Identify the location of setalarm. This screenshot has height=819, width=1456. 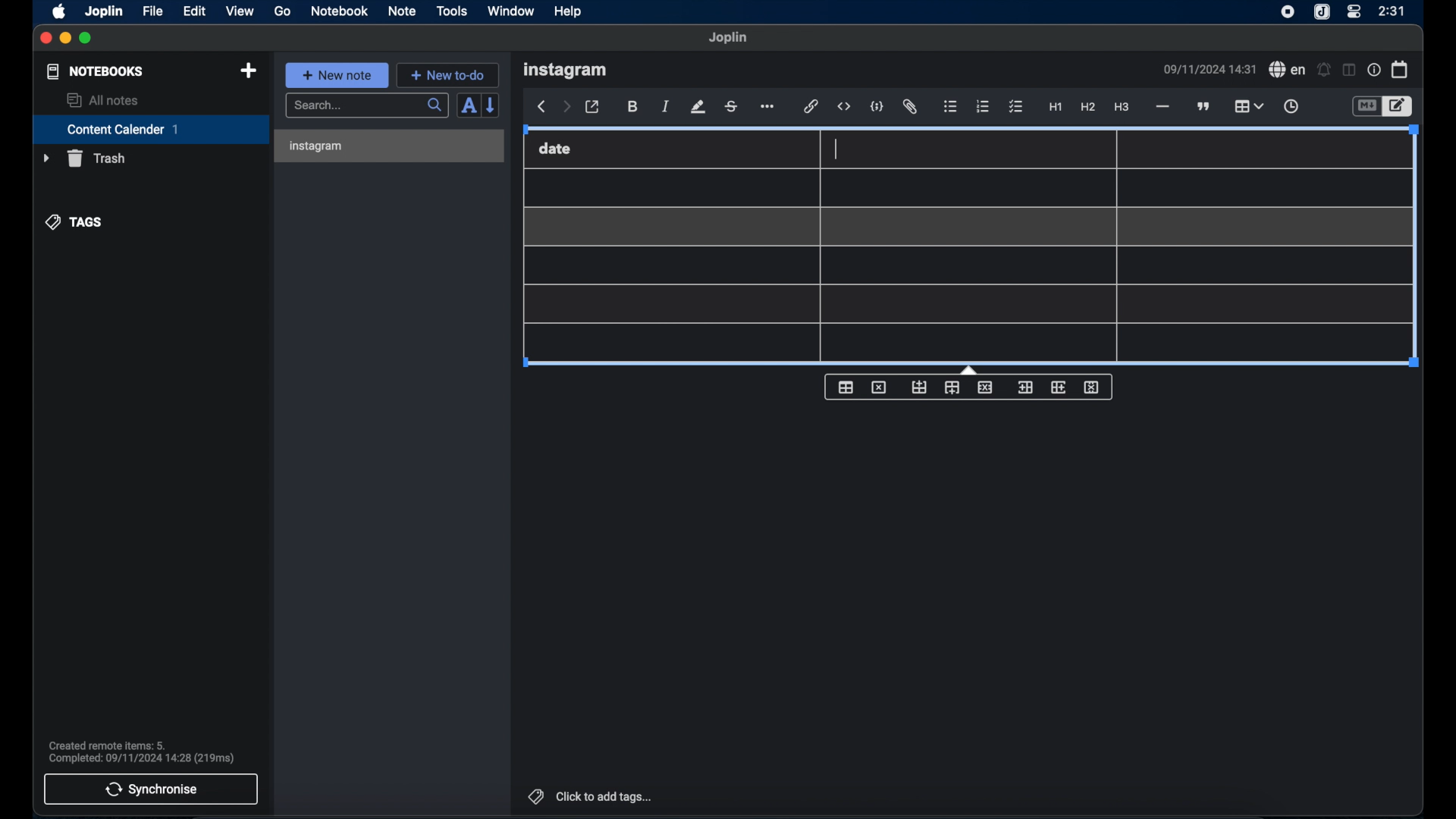
(1324, 69).